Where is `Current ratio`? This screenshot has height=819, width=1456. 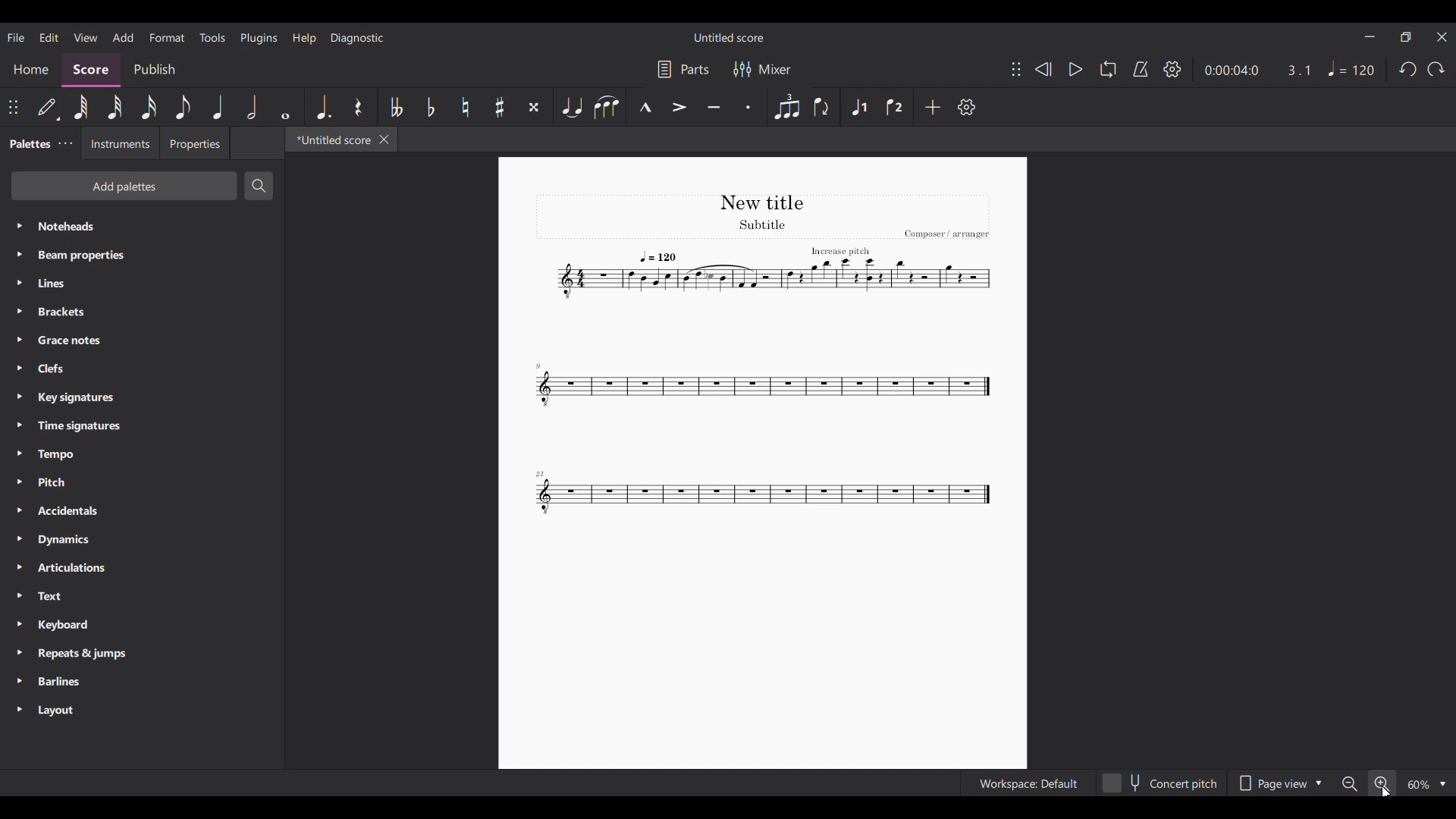
Current ratio is located at coordinates (1298, 71).